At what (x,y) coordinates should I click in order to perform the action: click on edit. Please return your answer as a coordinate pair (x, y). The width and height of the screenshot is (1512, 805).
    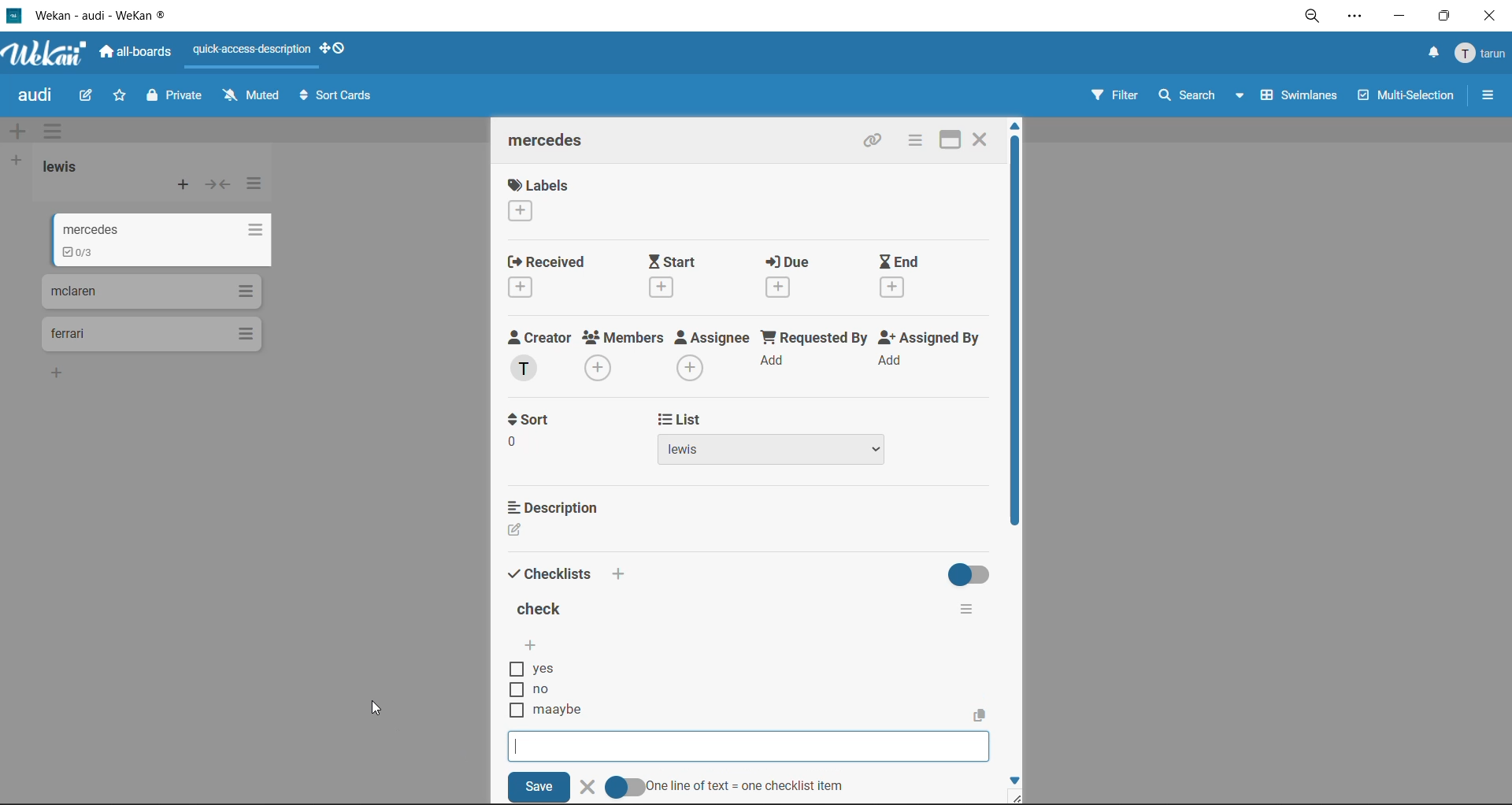
    Looking at the image, I should click on (88, 98).